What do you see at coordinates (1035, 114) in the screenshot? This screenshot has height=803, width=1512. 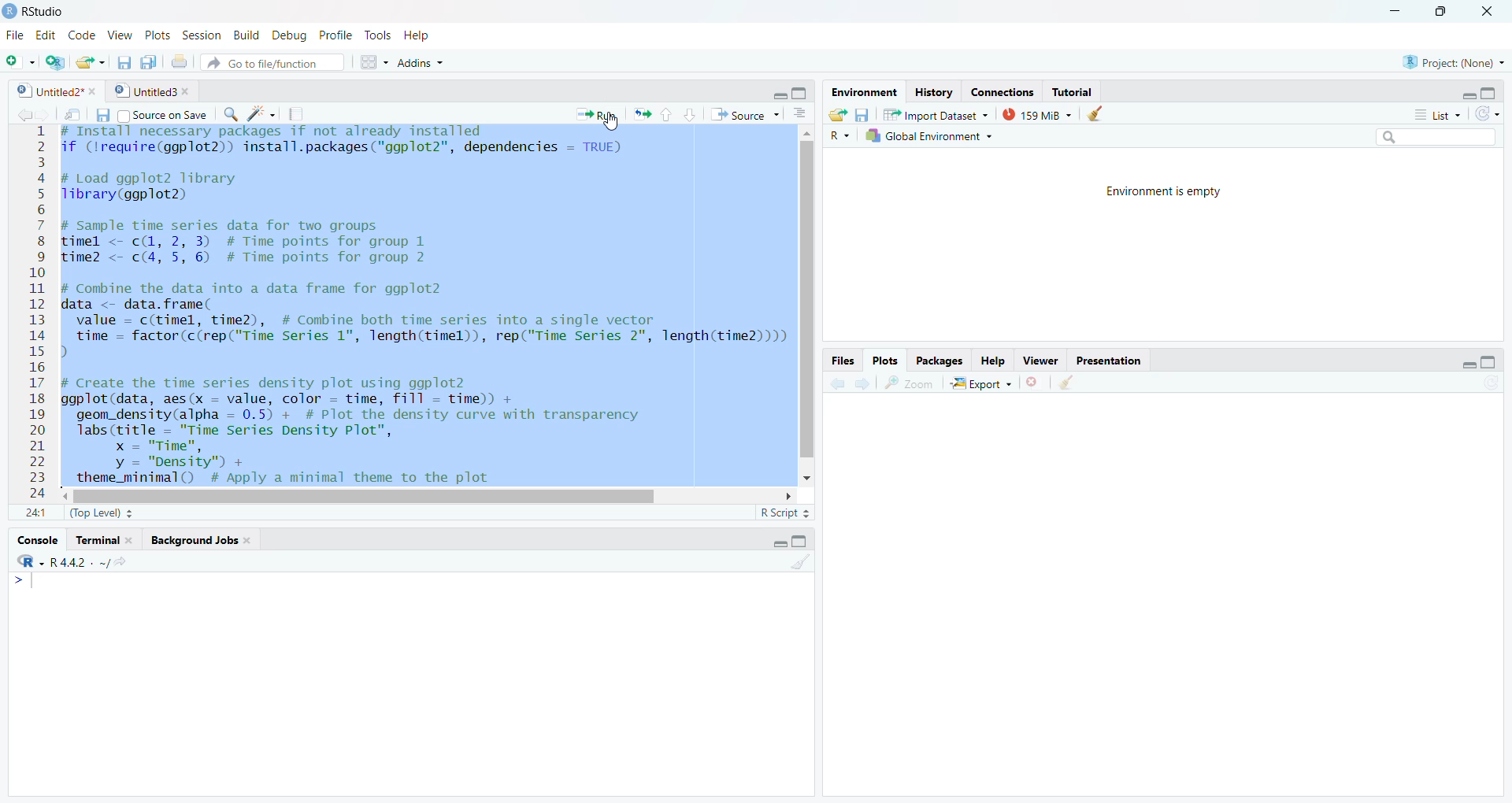 I see `159 MiB ` at bounding box center [1035, 114].